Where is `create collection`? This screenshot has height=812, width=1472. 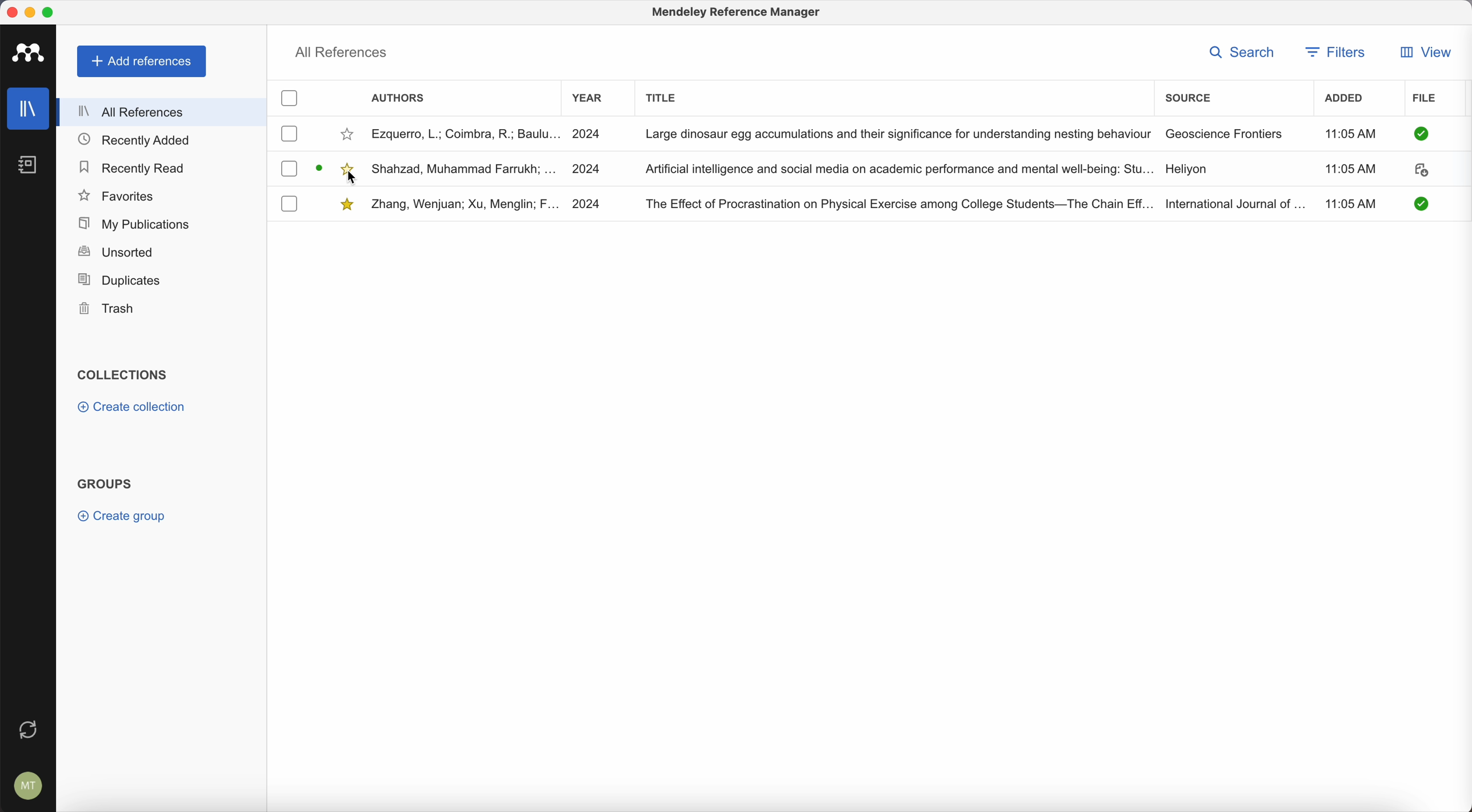
create collection is located at coordinates (131, 409).